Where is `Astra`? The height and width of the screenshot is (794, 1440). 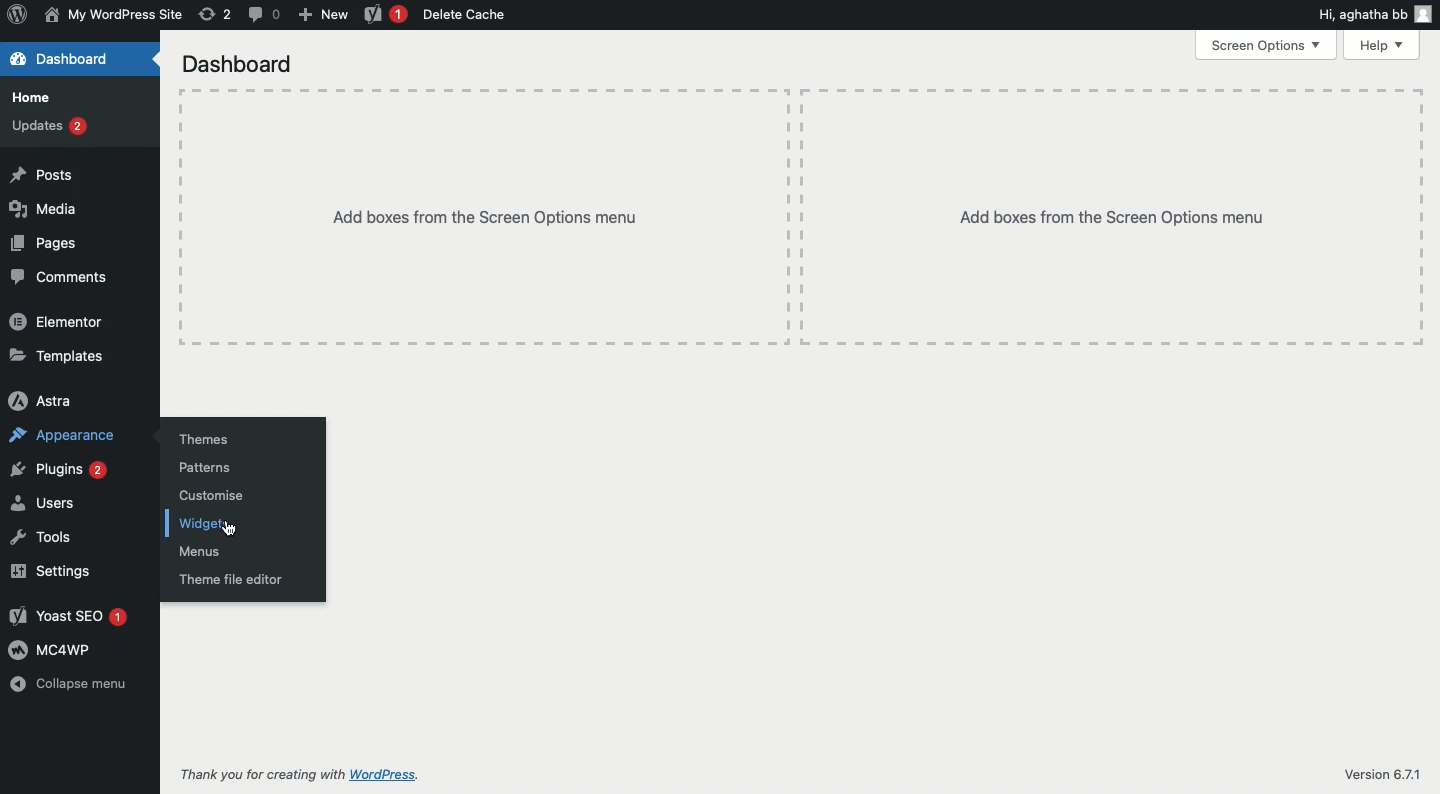
Astra is located at coordinates (42, 400).